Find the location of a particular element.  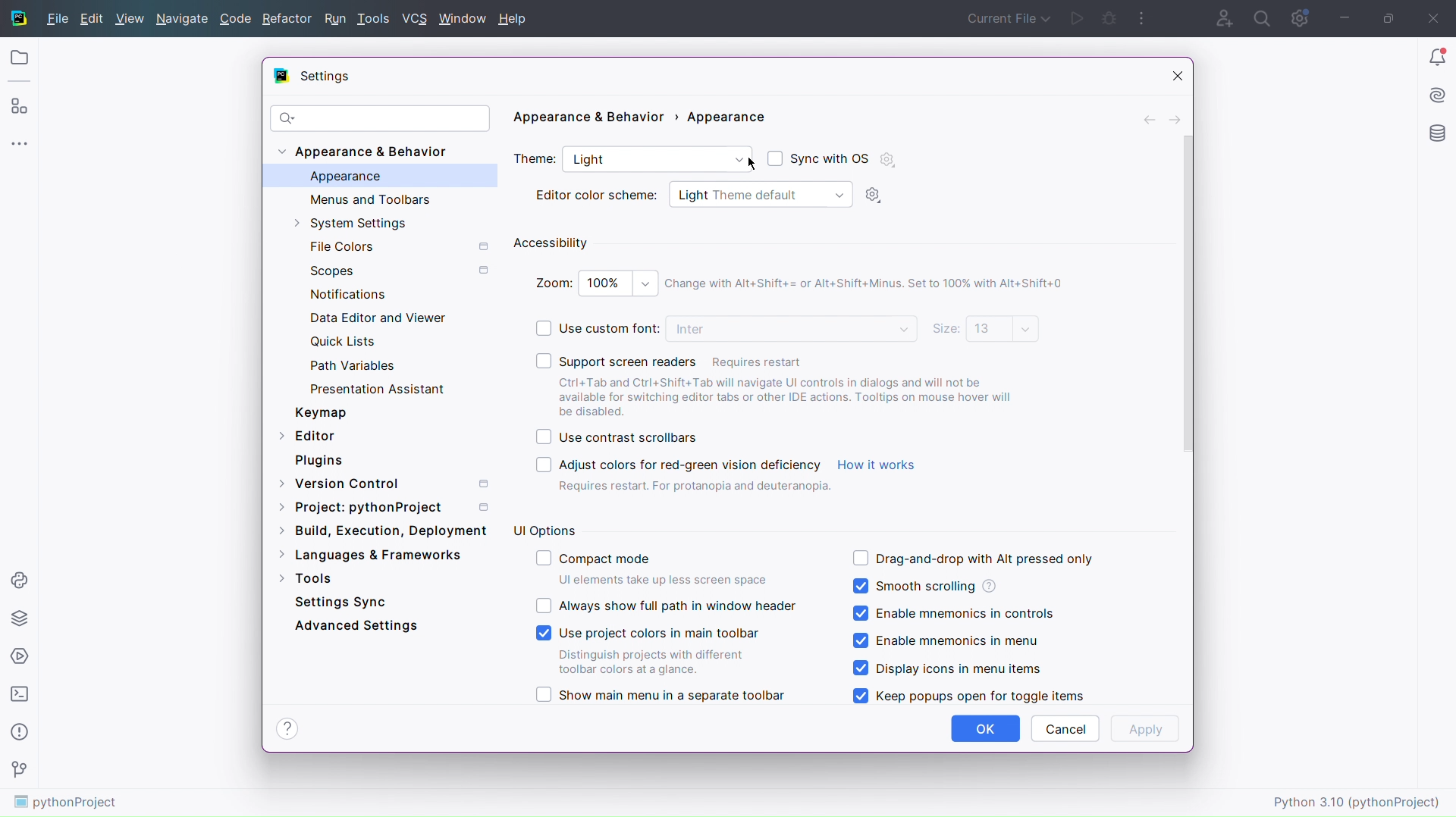

Always show full path in window header is located at coordinates (666, 606).